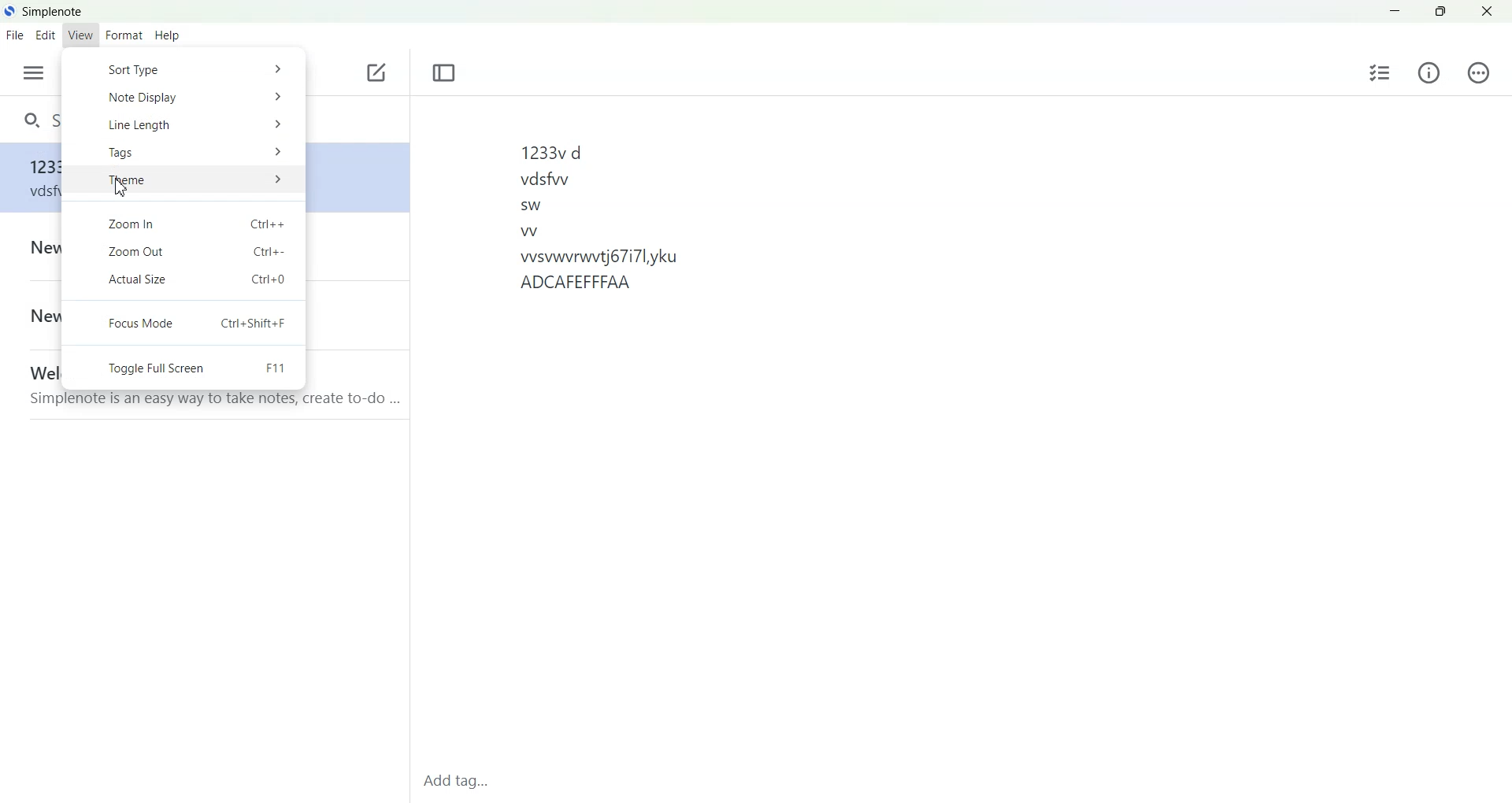  What do you see at coordinates (1394, 9) in the screenshot?
I see `Minimize` at bounding box center [1394, 9].